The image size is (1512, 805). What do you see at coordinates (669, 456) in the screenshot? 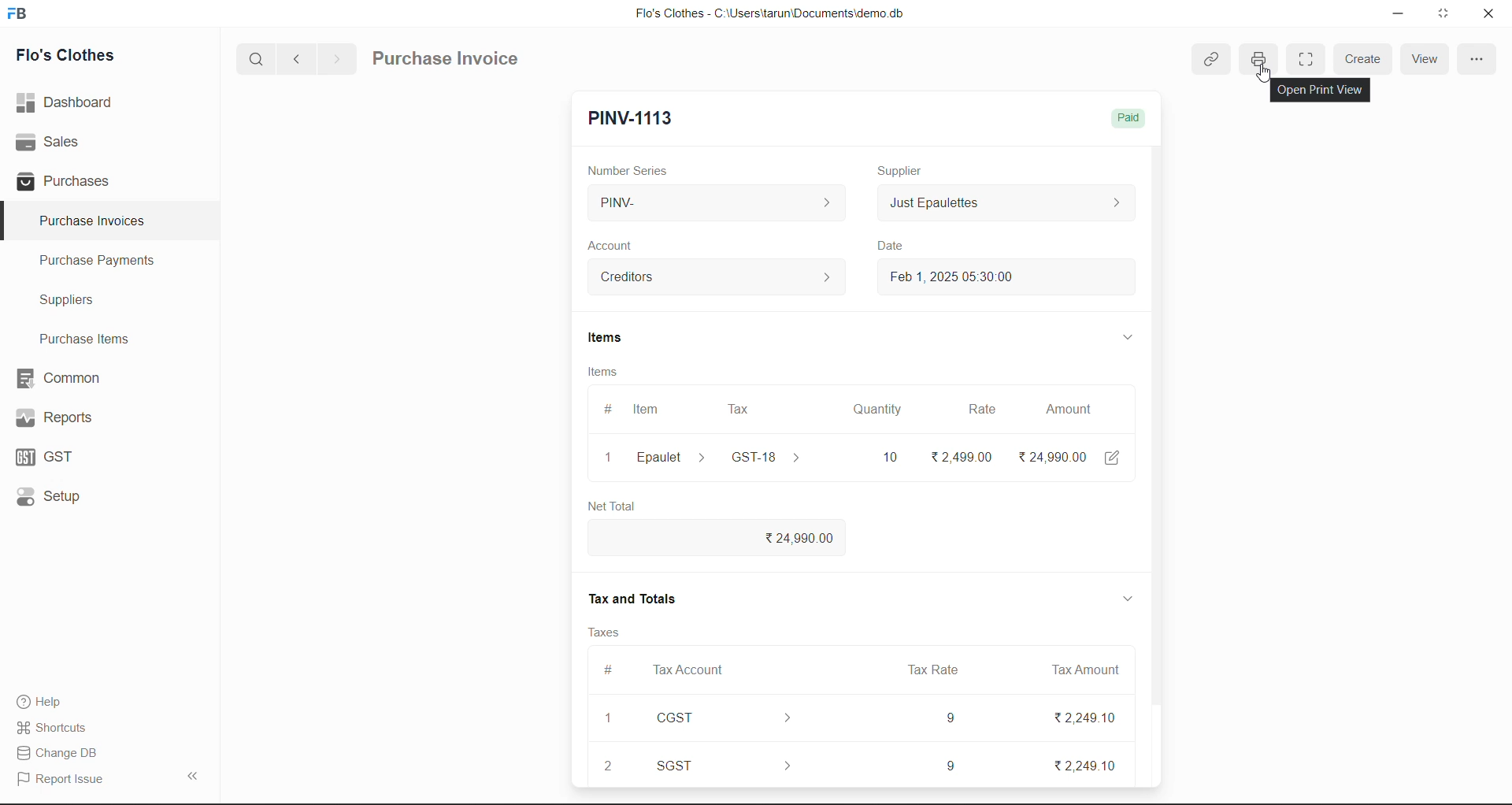
I see `Epaulet` at bounding box center [669, 456].